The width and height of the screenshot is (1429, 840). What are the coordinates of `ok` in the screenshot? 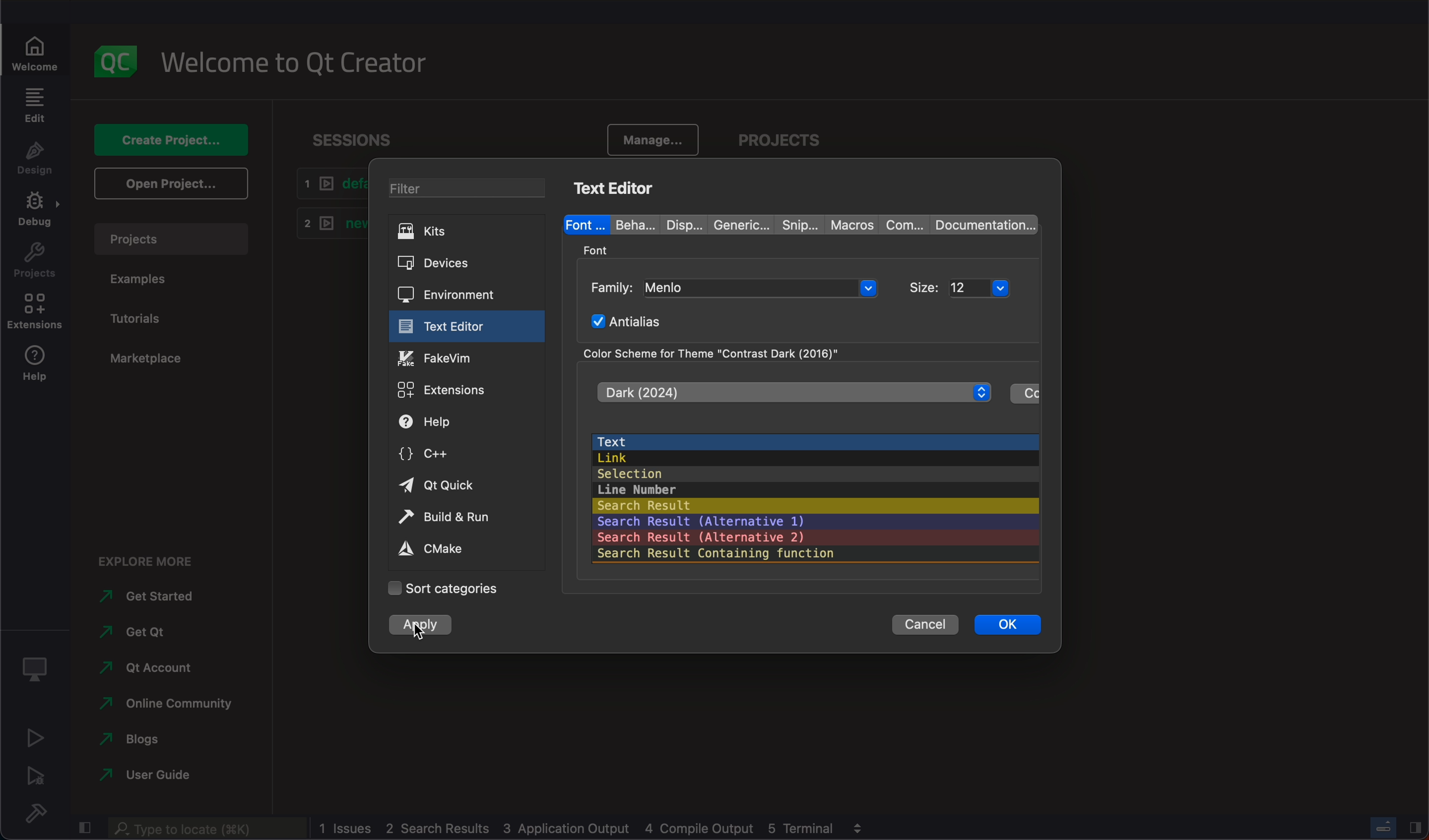 It's located at (1008, 629).